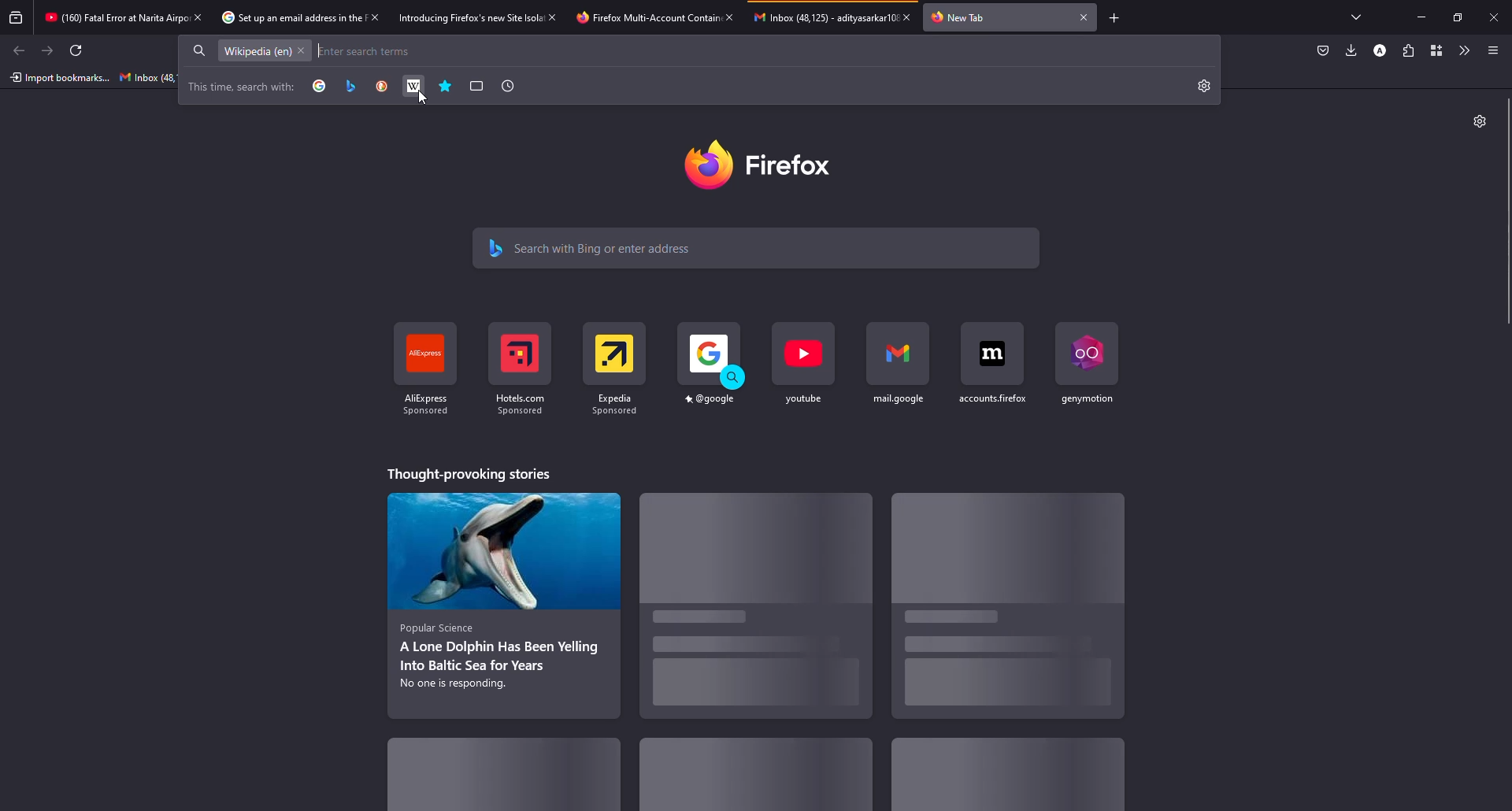  Describe the element at coordinates (1011, 608) in the screenshot. I see `stories` at that location.